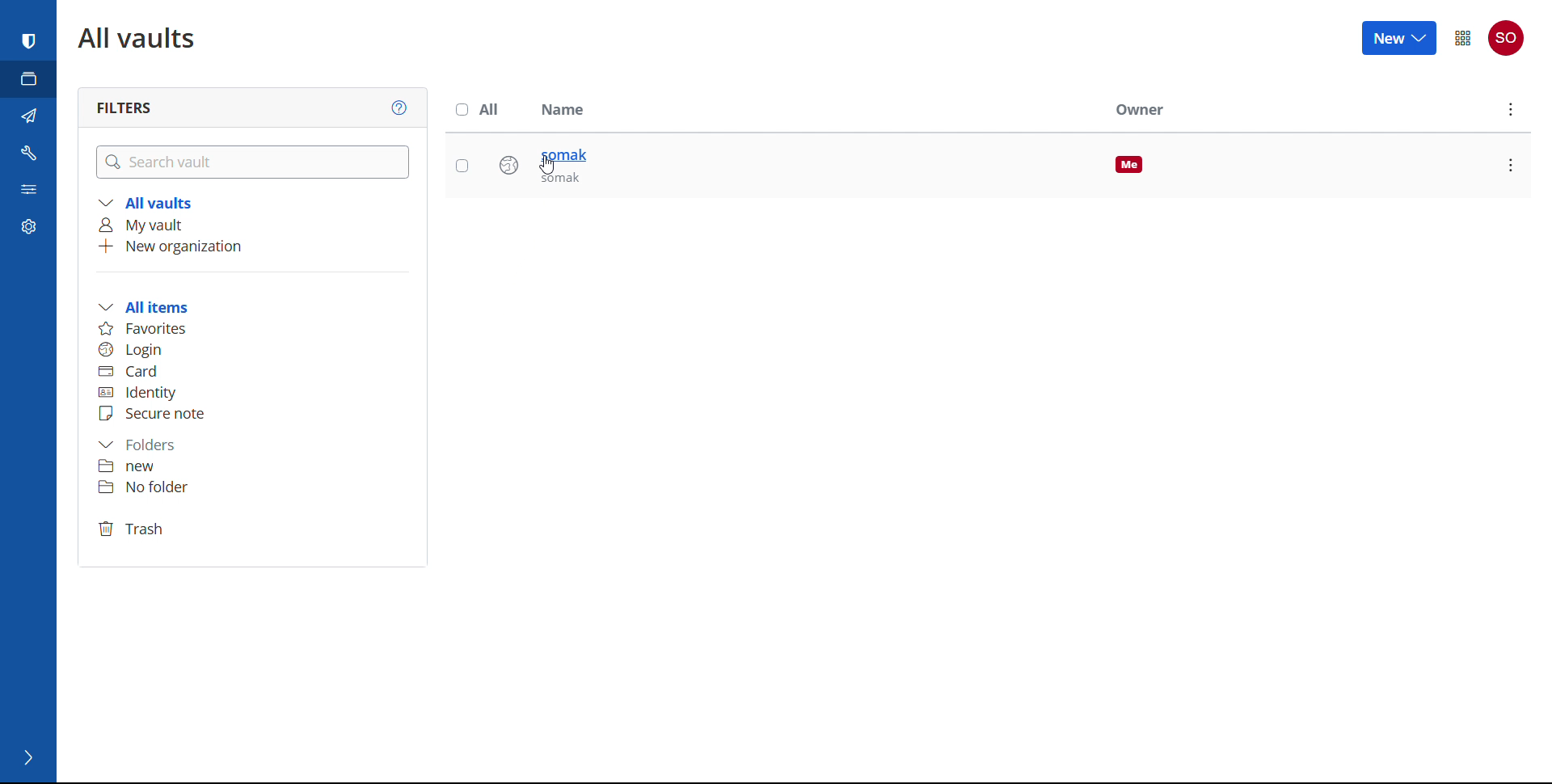  I want to click on tools, so click(28, 152).